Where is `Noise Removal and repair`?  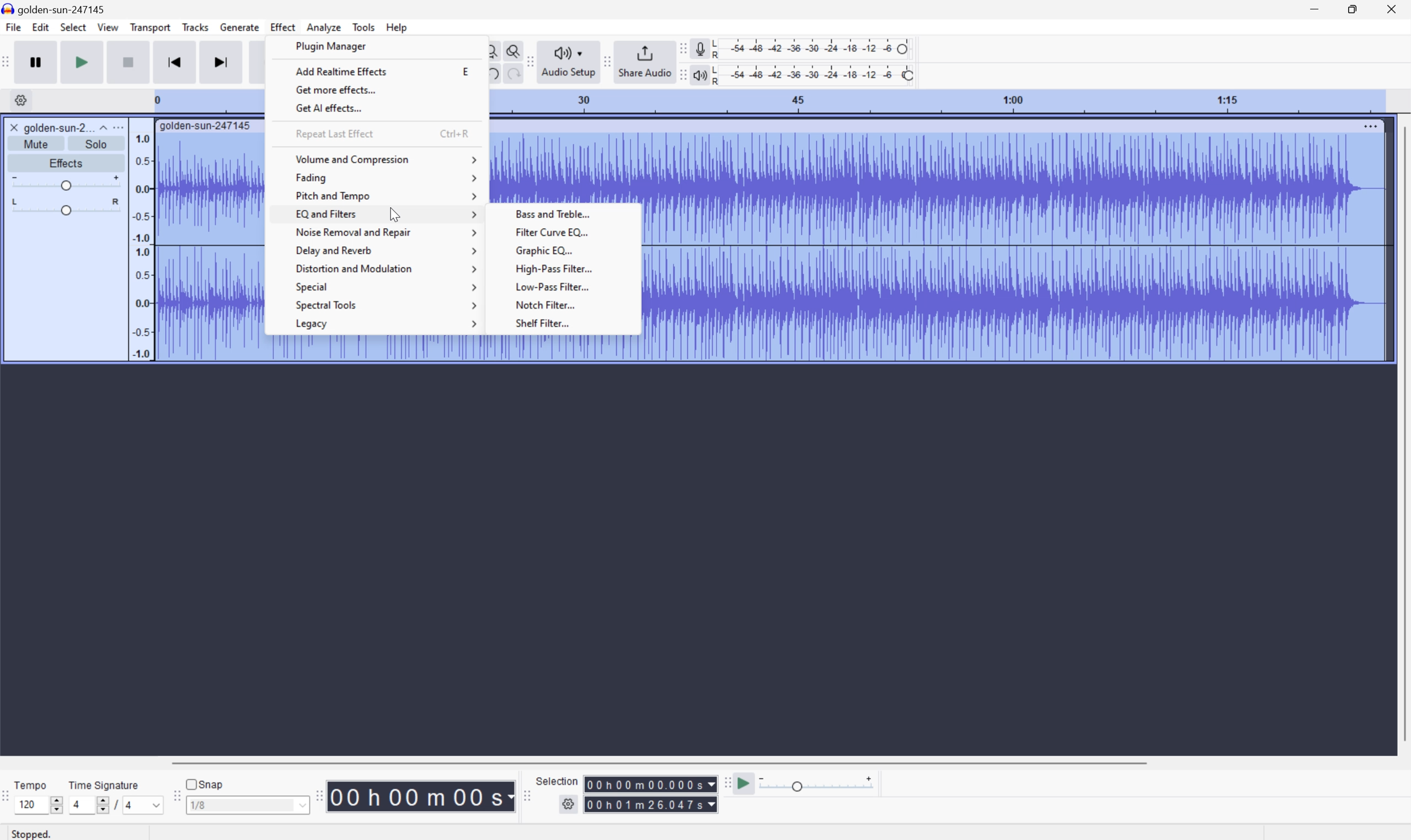 Noise Removal and repair is located at coordinates (385, 232).